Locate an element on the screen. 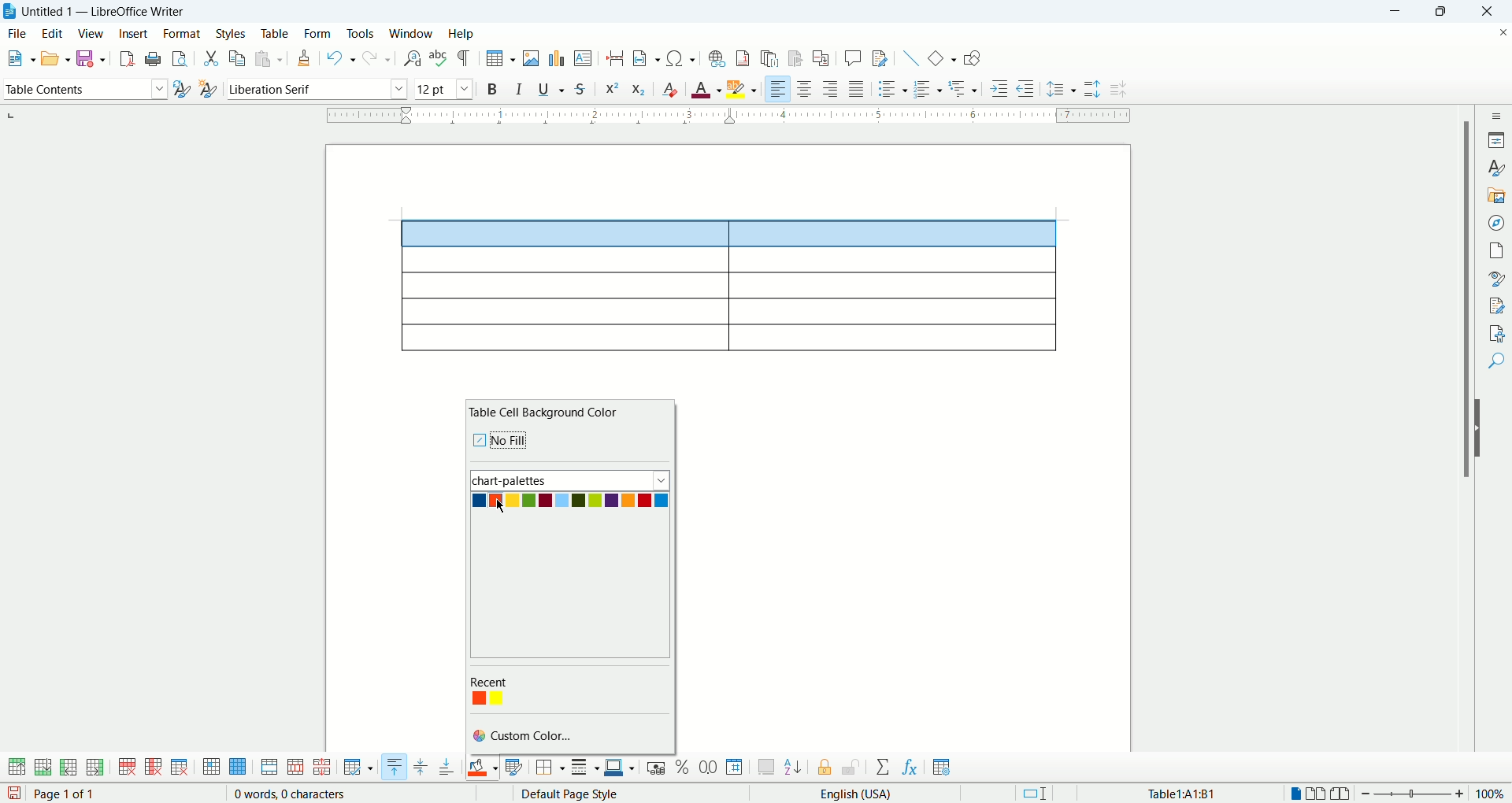 This screenshot has height=803, width=1512. sum is located at coordinates (885, 768).